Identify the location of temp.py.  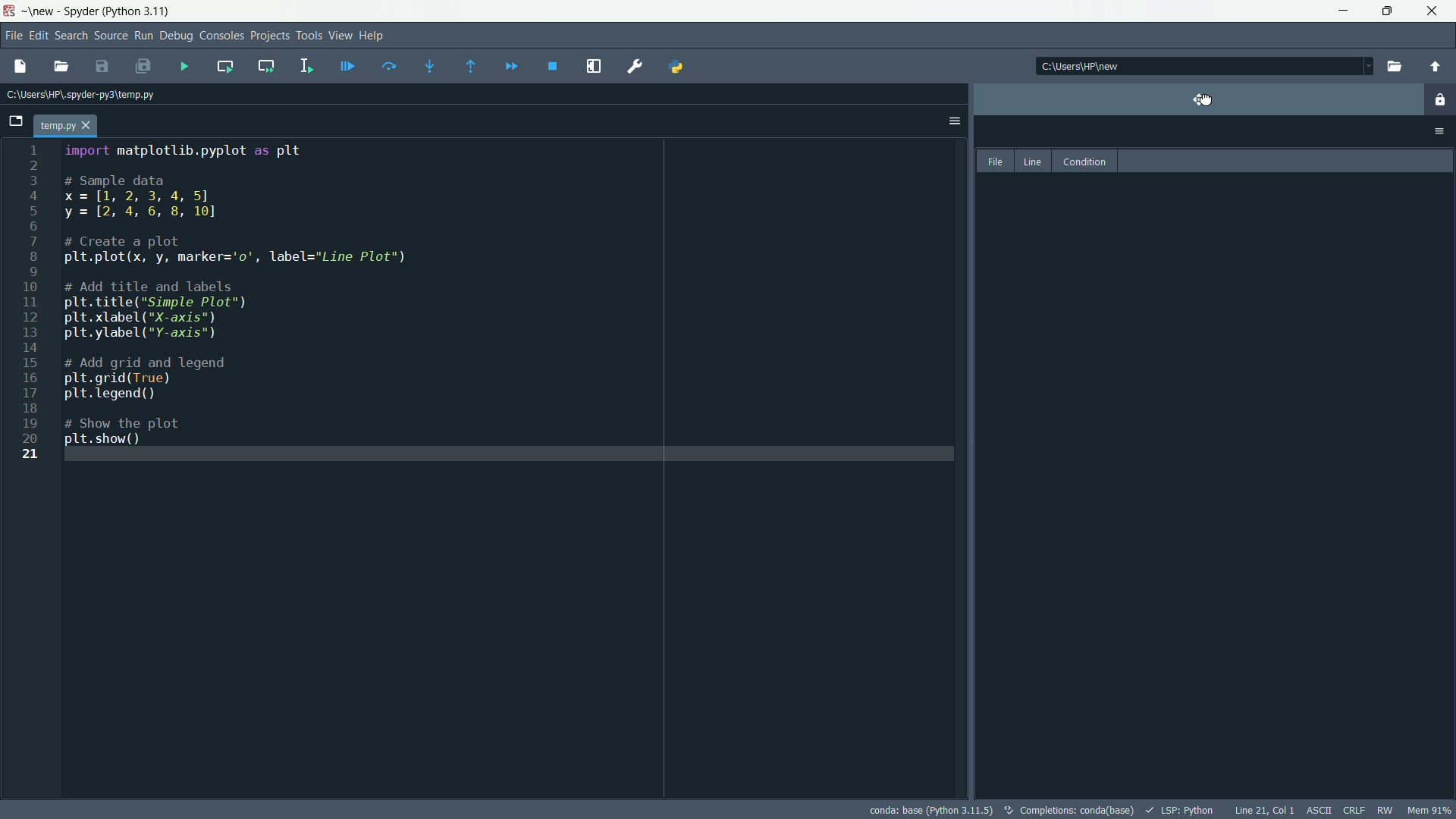
(75, 124).